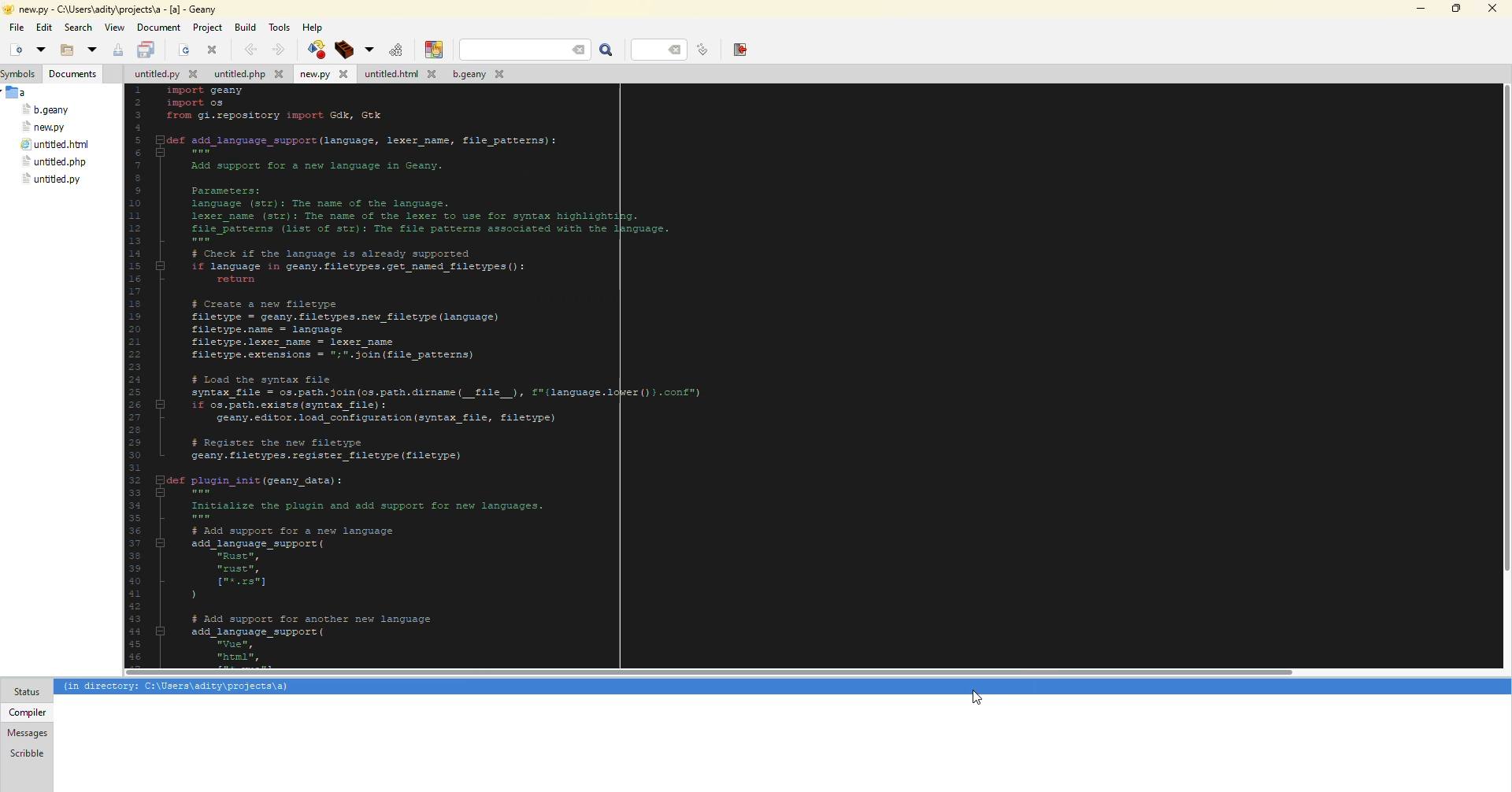 This screenshot has height=792, width=1512. Describe the element at coordinates (323, 75) in the screenshot. I see `file` at that location.